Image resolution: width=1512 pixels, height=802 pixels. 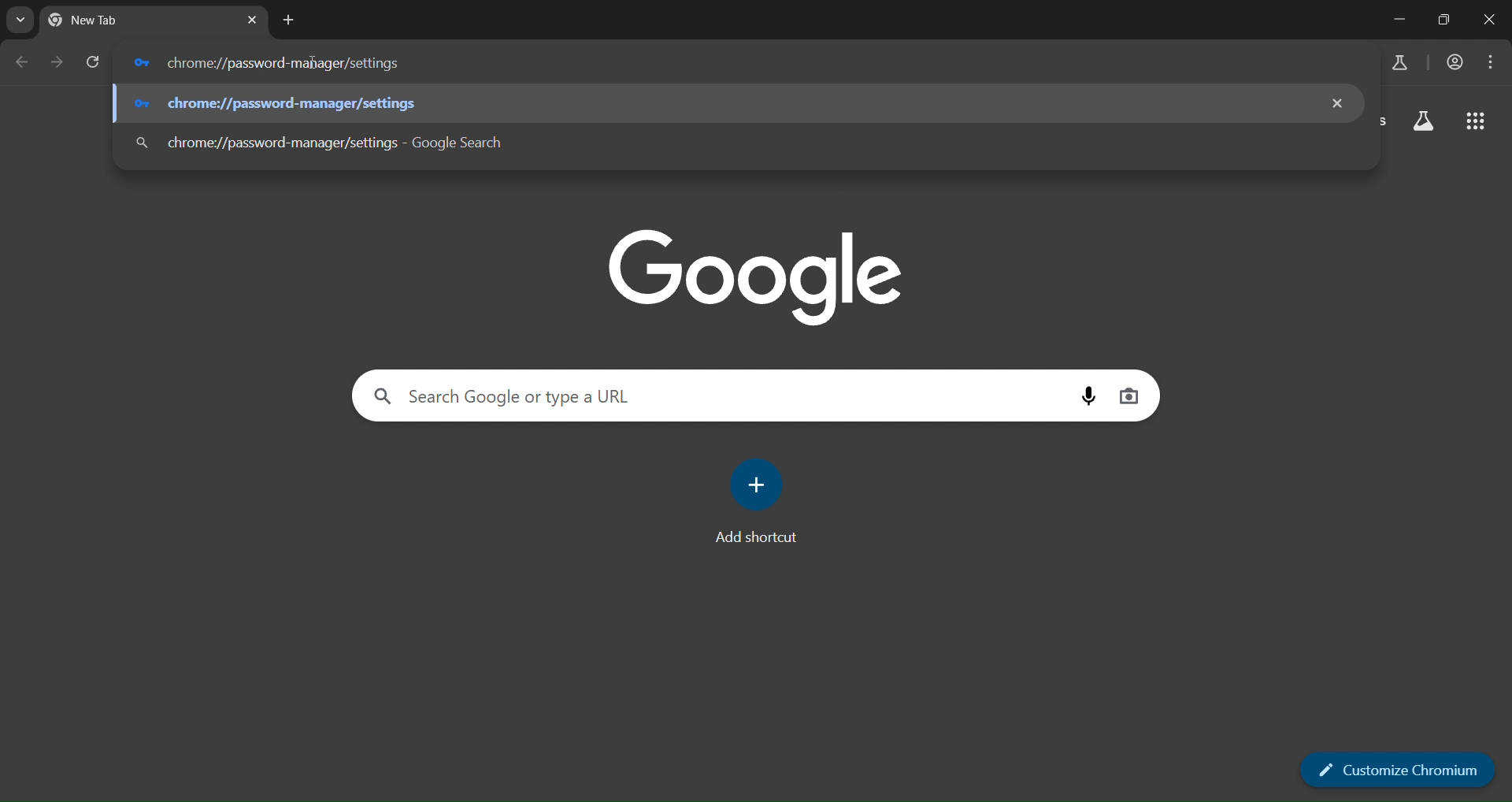 I want to click on minimize, so click(x=1397, y=20).